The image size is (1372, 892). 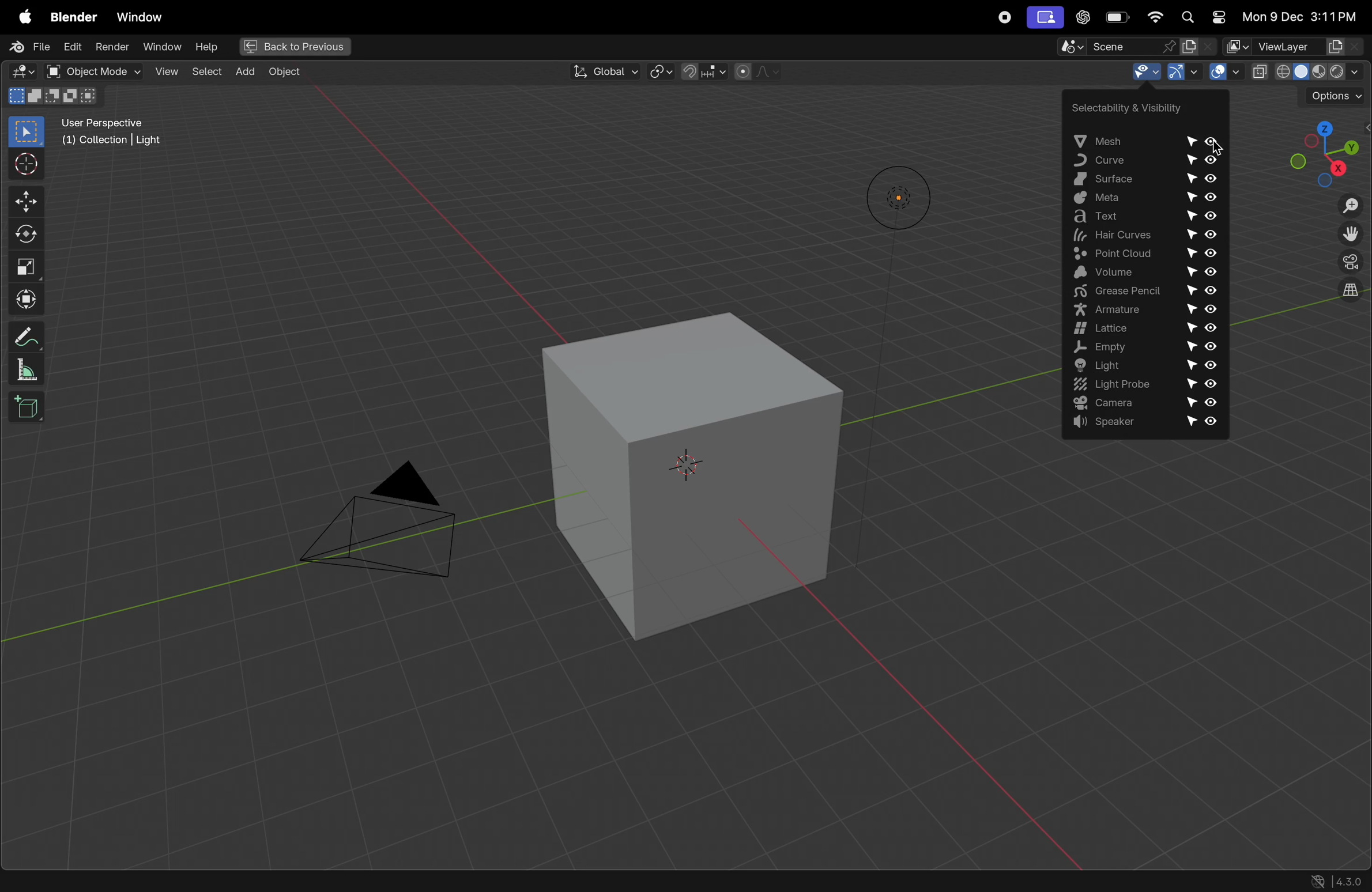 I want to click on chatgpt, so click(x=1081, y=18).